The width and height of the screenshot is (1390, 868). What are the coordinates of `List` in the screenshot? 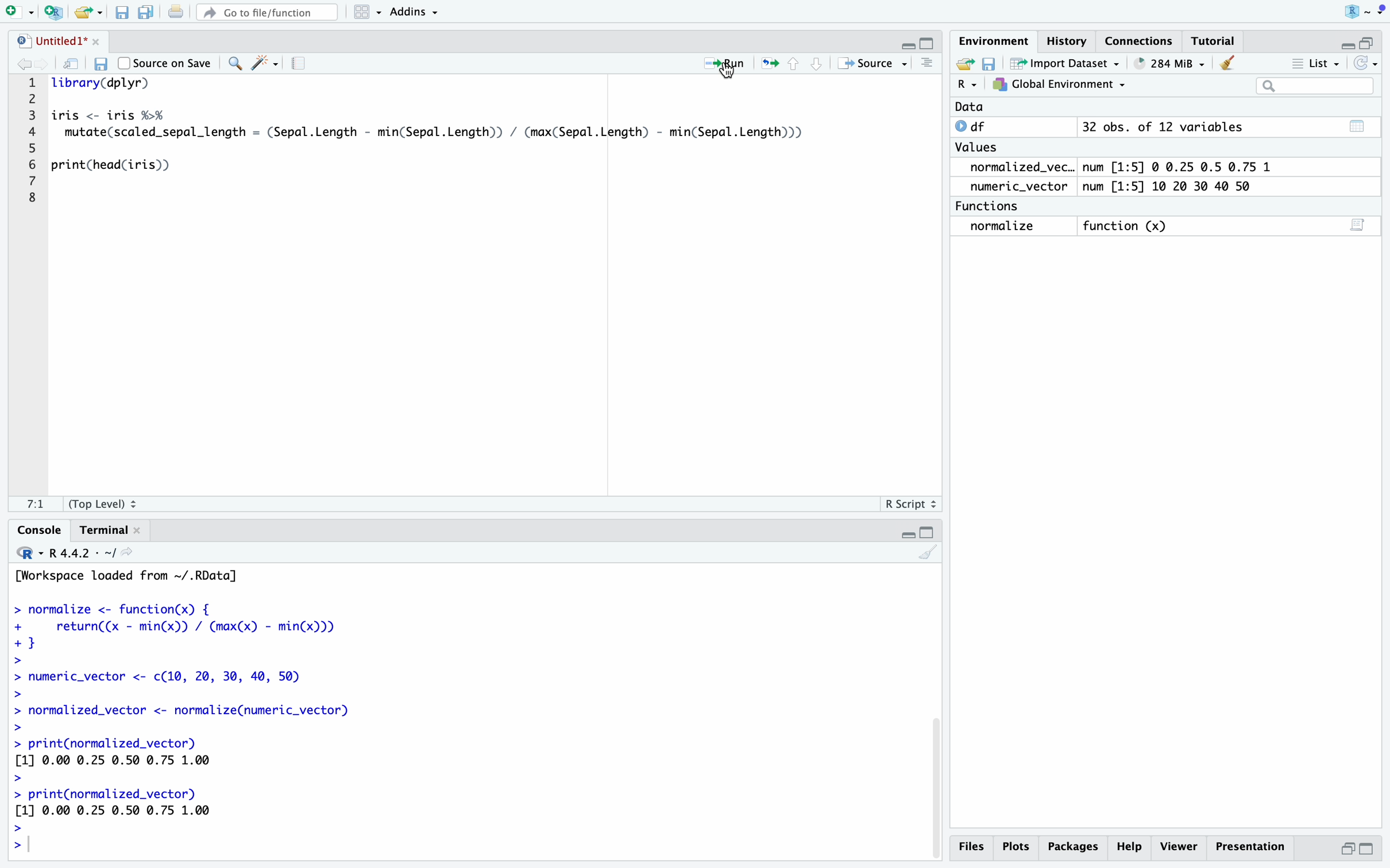 It's located at (1318, 65).